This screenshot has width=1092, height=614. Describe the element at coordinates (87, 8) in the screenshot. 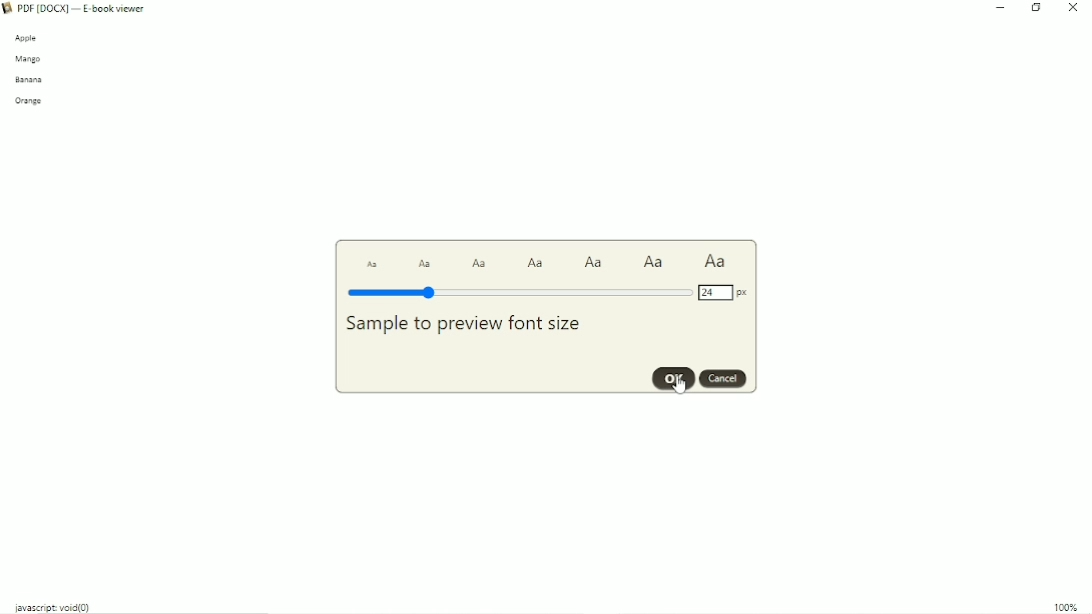

I see `Book Title` at that location.